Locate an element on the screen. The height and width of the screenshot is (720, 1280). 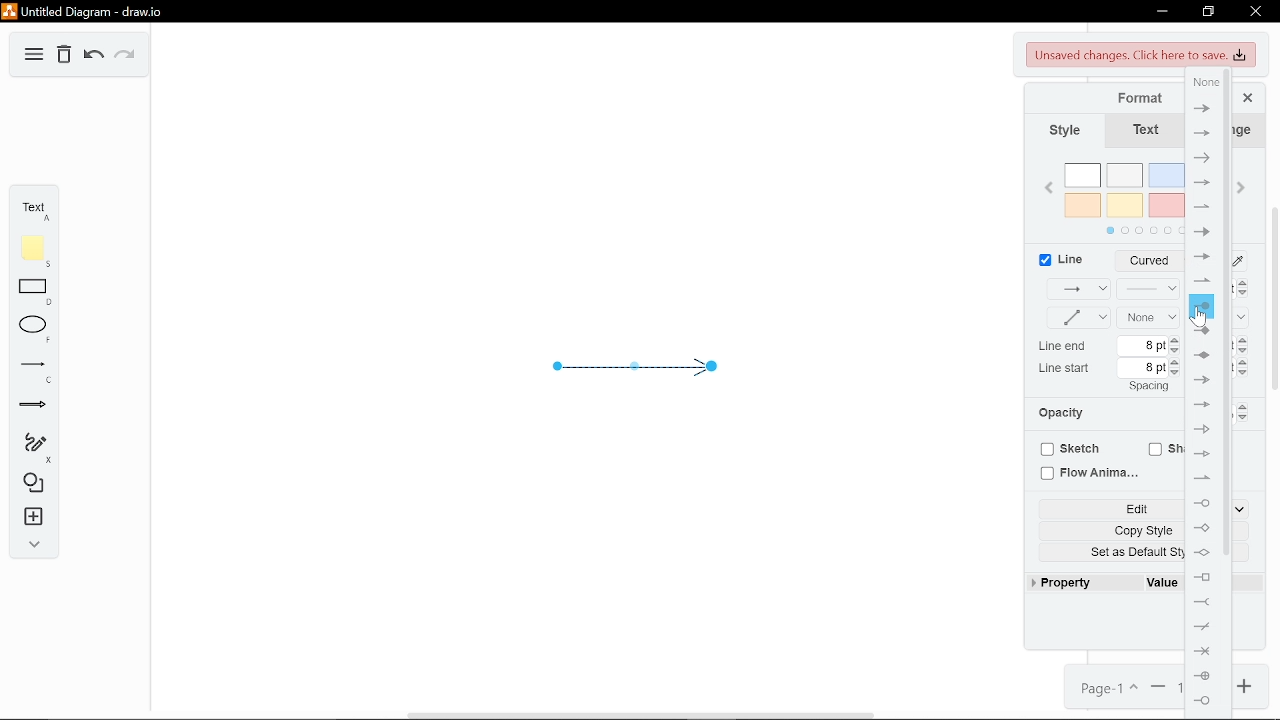
Current line start spacing is located at coordinates (1141, 368).